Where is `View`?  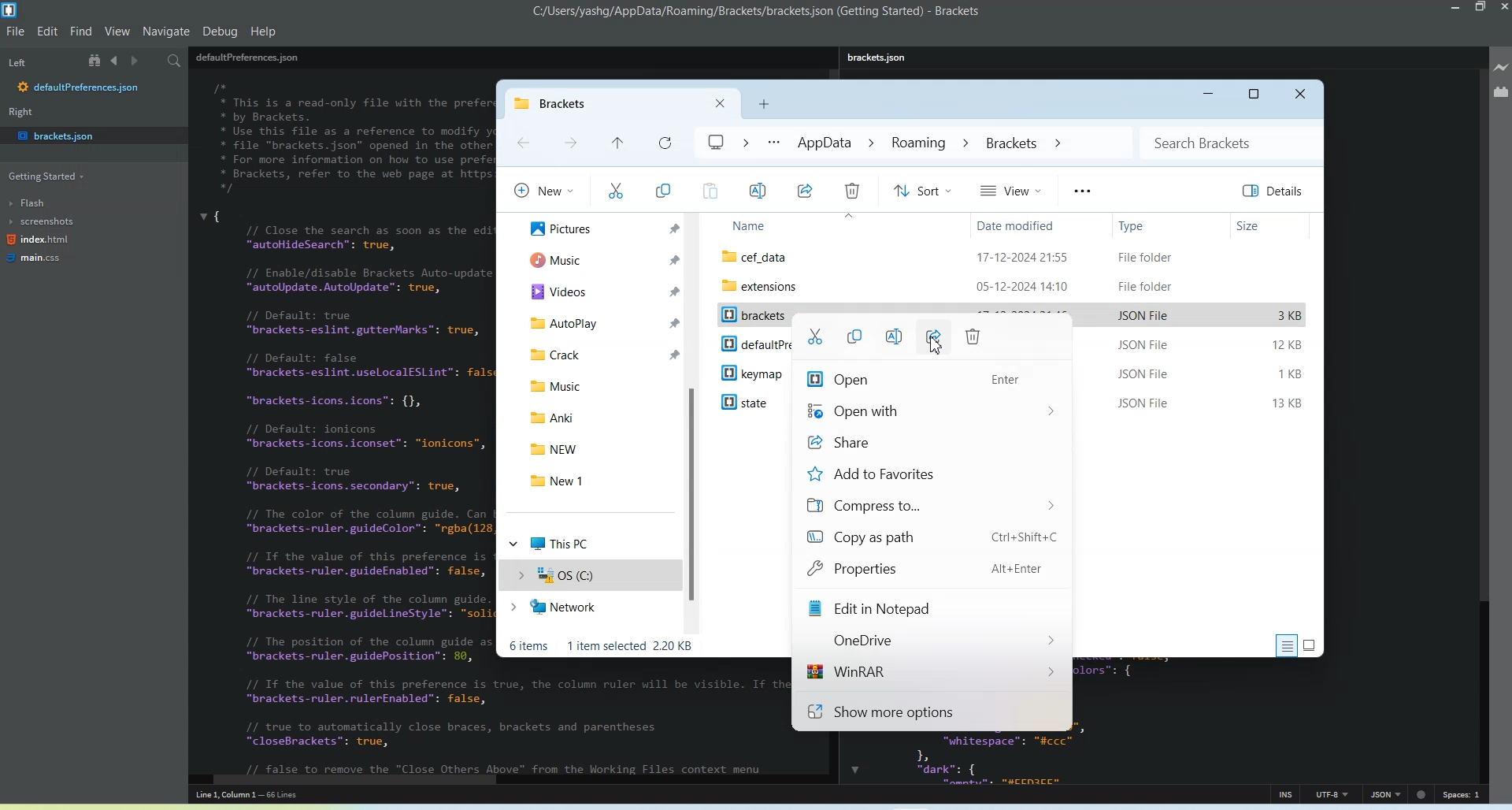 View is located at coordinates (117, 32).